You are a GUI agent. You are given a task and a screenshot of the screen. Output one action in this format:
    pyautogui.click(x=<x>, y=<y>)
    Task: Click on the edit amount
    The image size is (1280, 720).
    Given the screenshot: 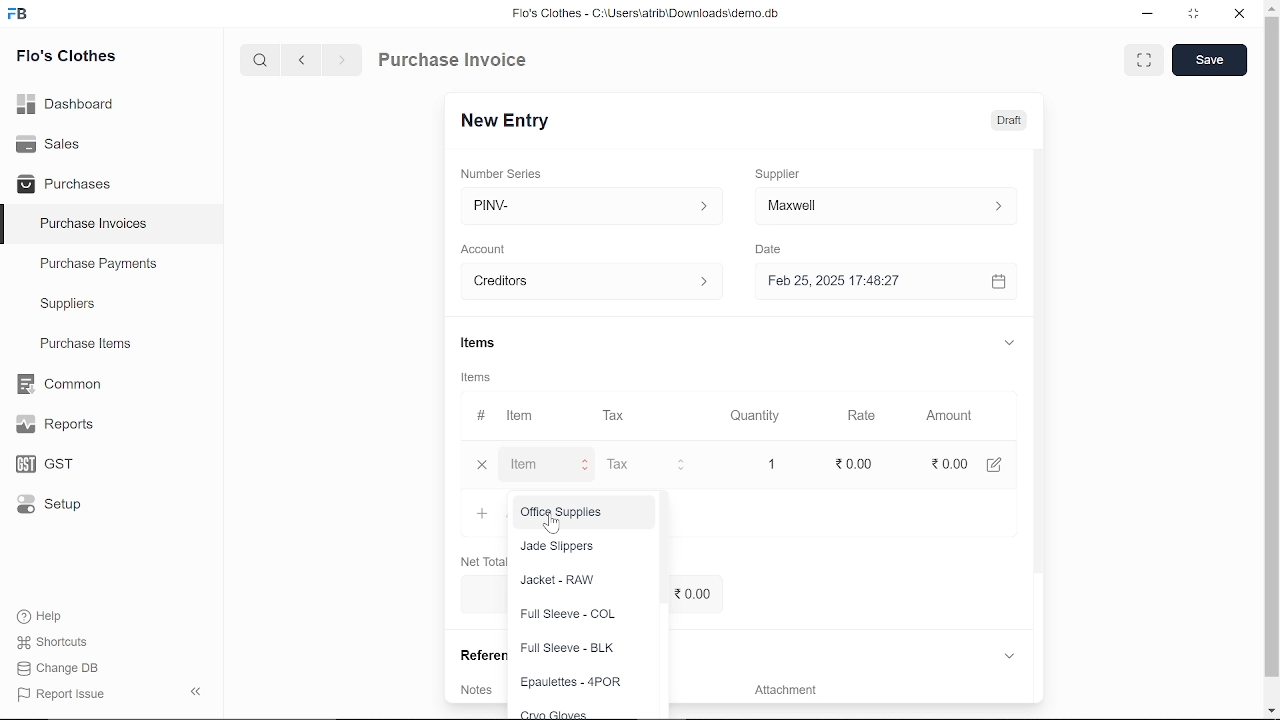 What is the action you would take?
    pyautogui.click(x=1009, y=464)
    